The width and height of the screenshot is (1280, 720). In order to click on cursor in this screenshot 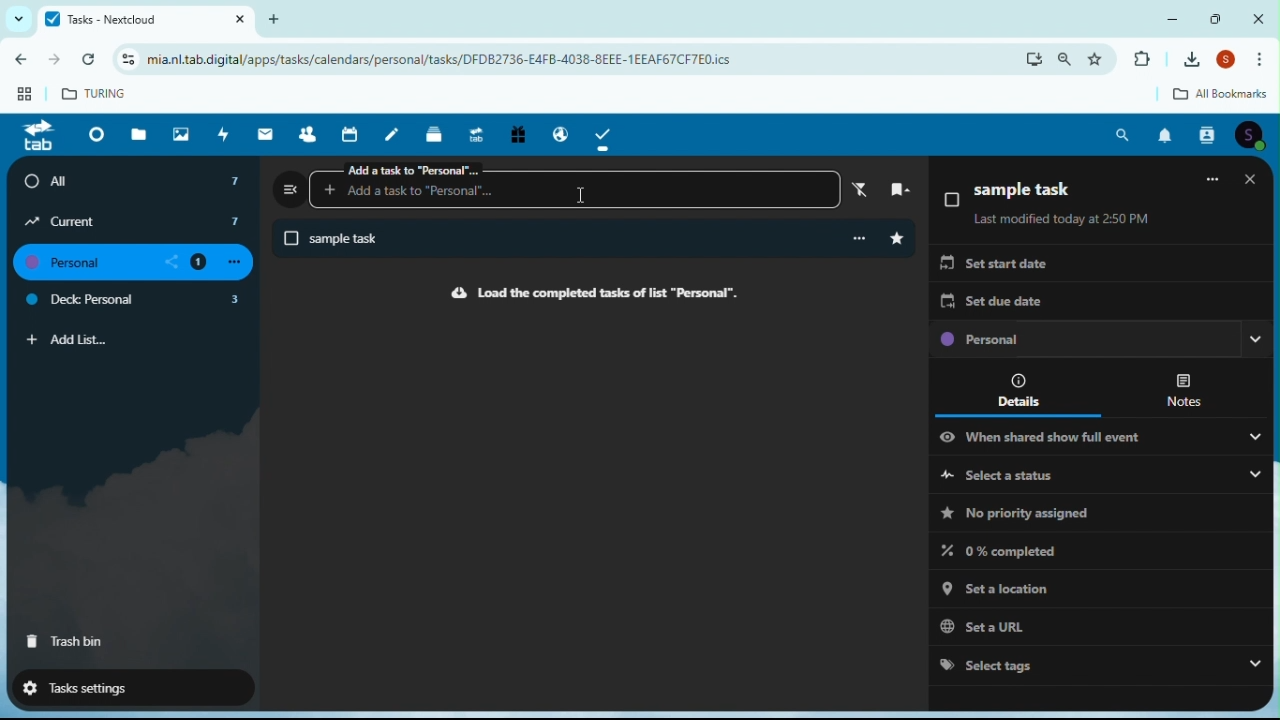, I will do `click(582, 199)`.